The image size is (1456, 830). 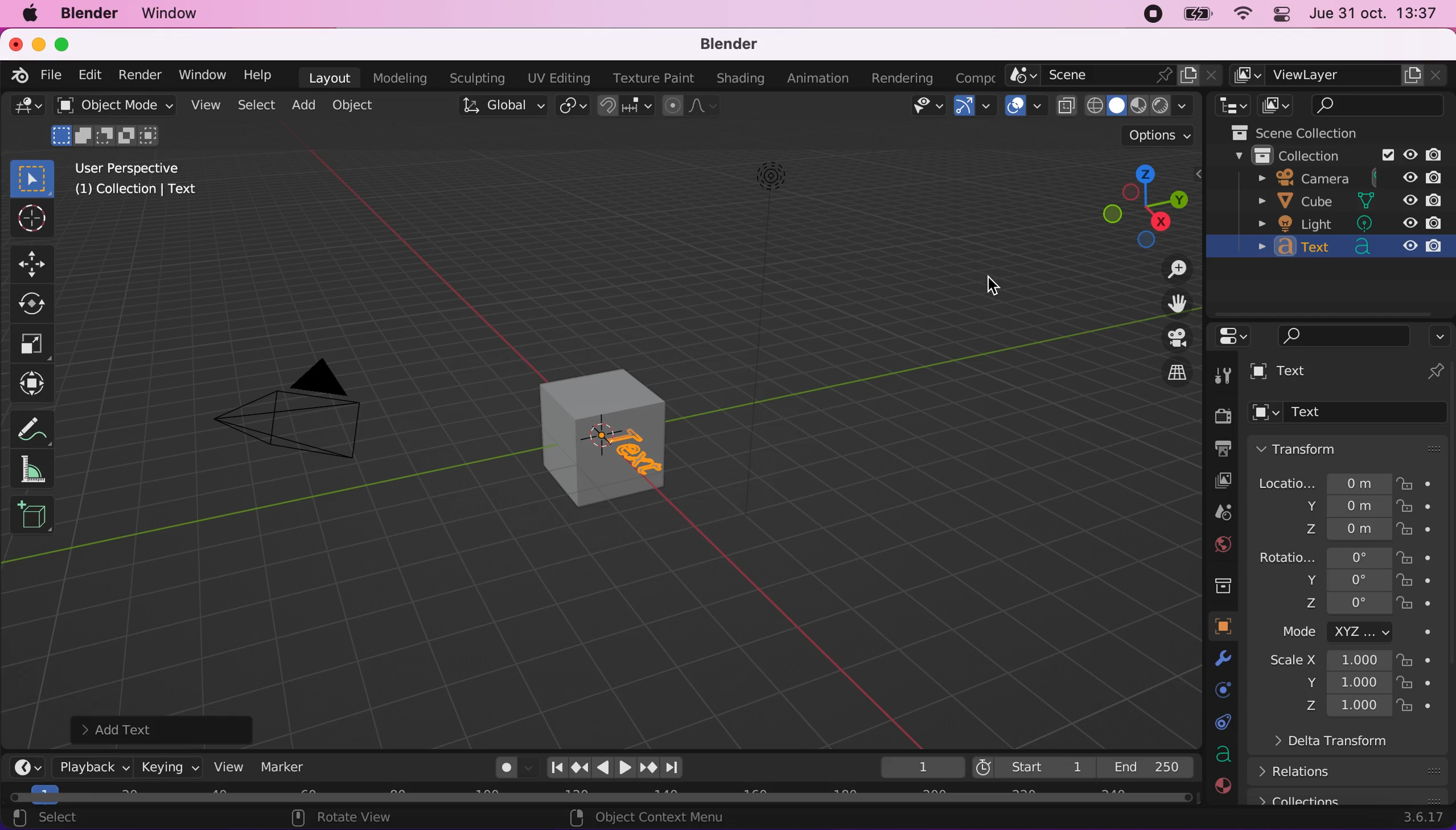 I want to click on 3.6.17, so click(x=1420, y=817).